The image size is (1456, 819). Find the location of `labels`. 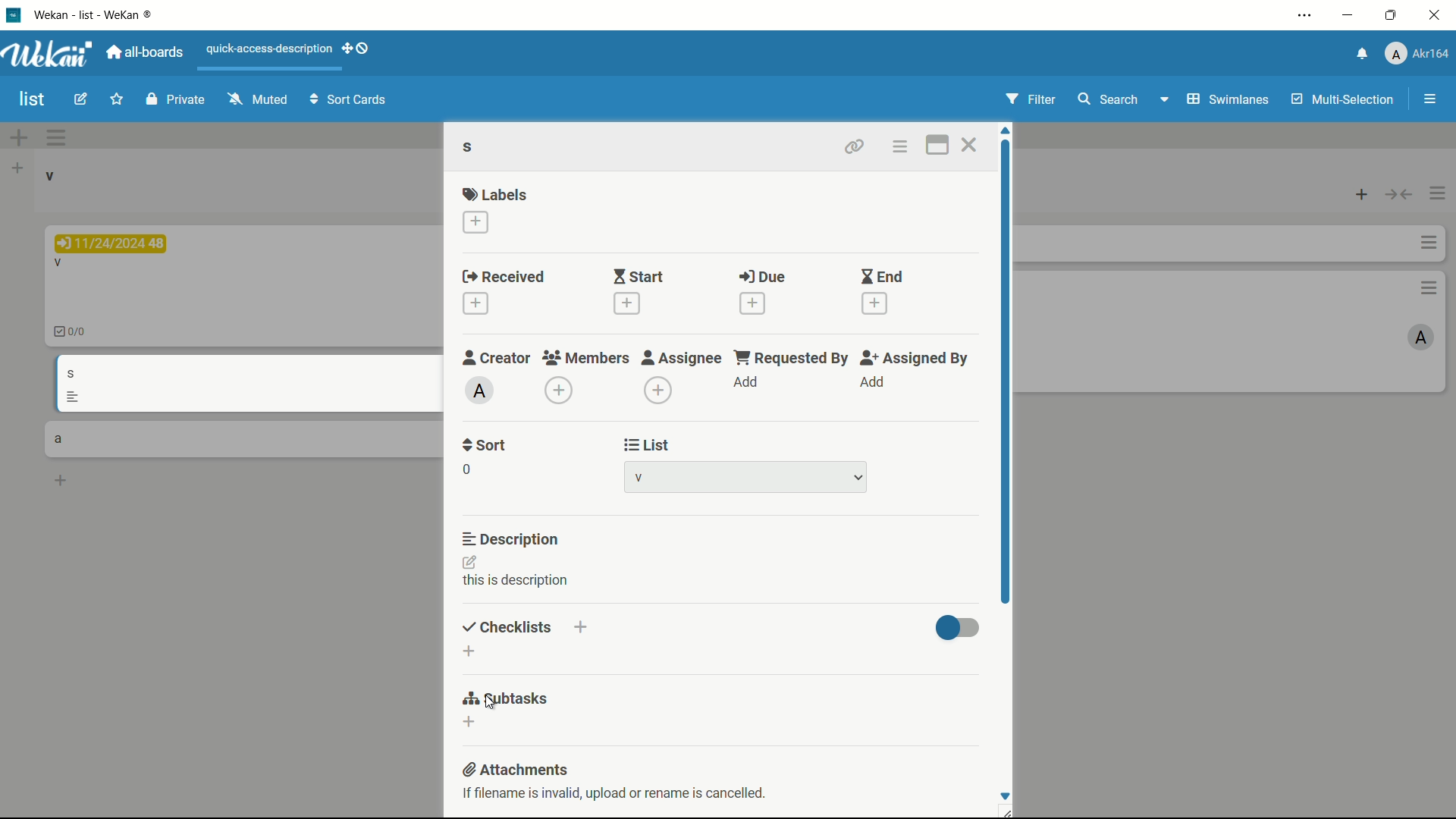

labels is located at coordinates (497, 194).